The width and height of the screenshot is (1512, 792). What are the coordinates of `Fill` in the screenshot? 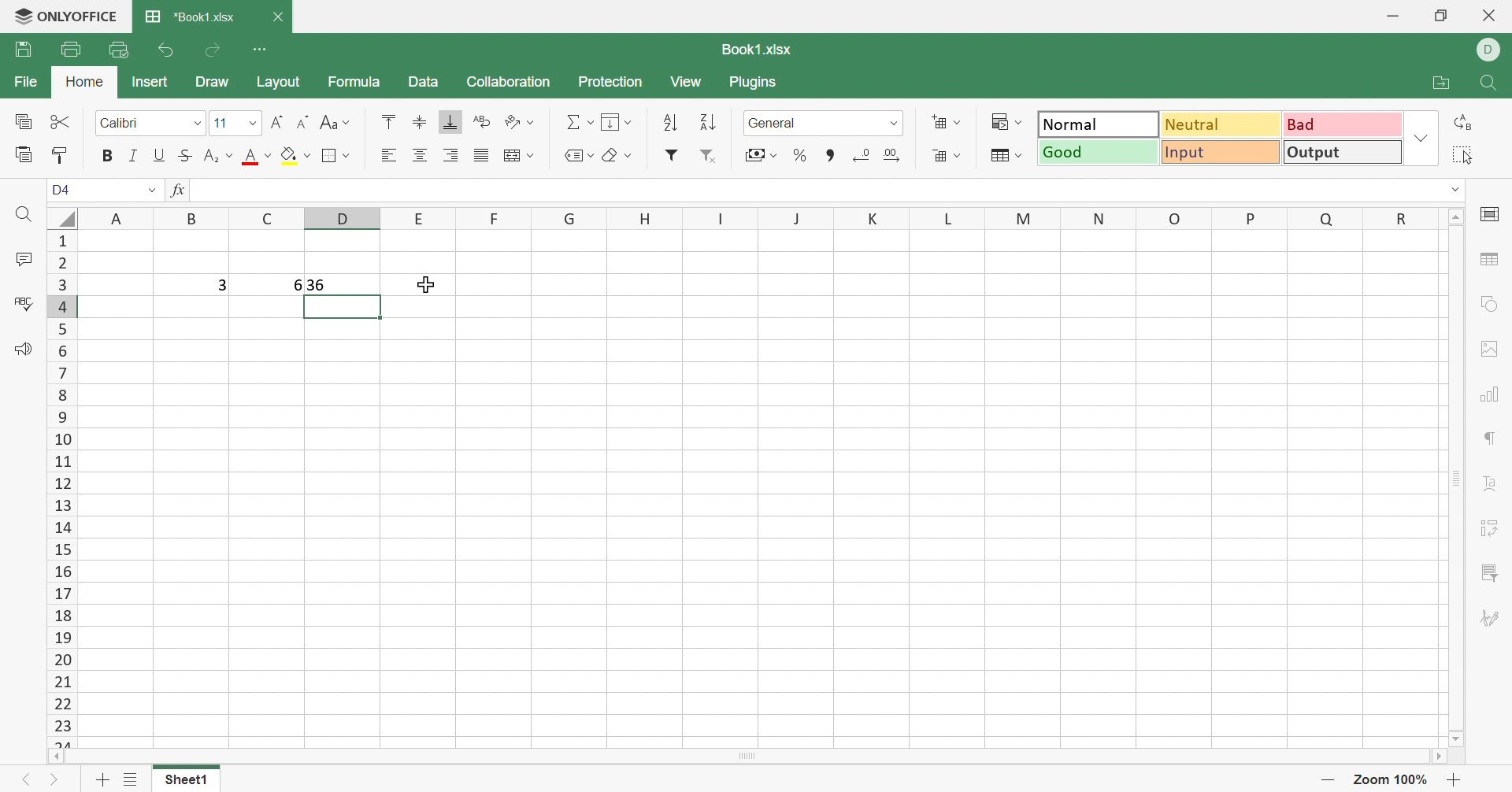 It's located at (618, 124).